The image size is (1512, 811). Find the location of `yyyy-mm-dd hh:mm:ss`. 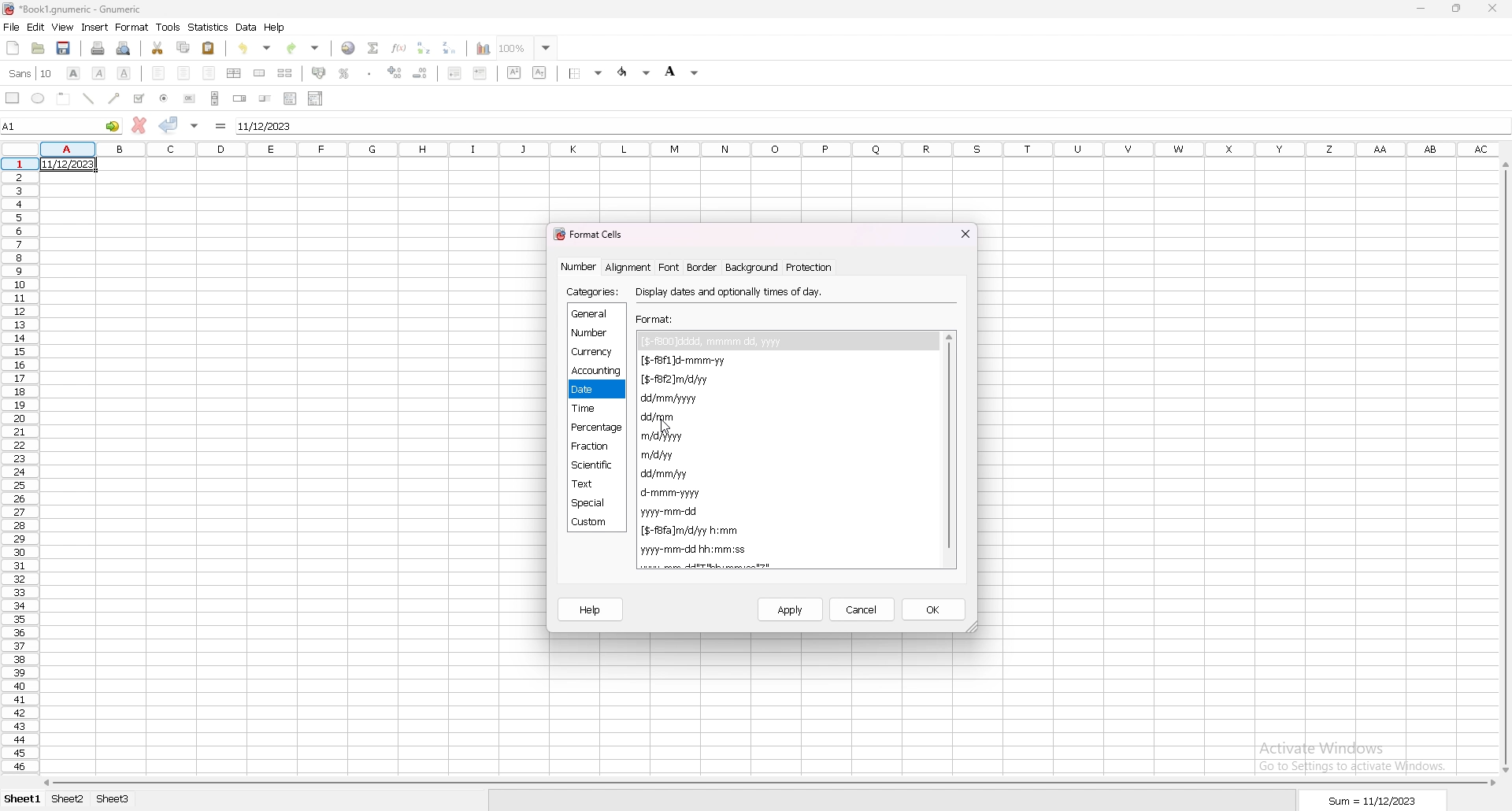

yyyy-mm-dd hh:mm:ss is located at coordinates (695, 550).